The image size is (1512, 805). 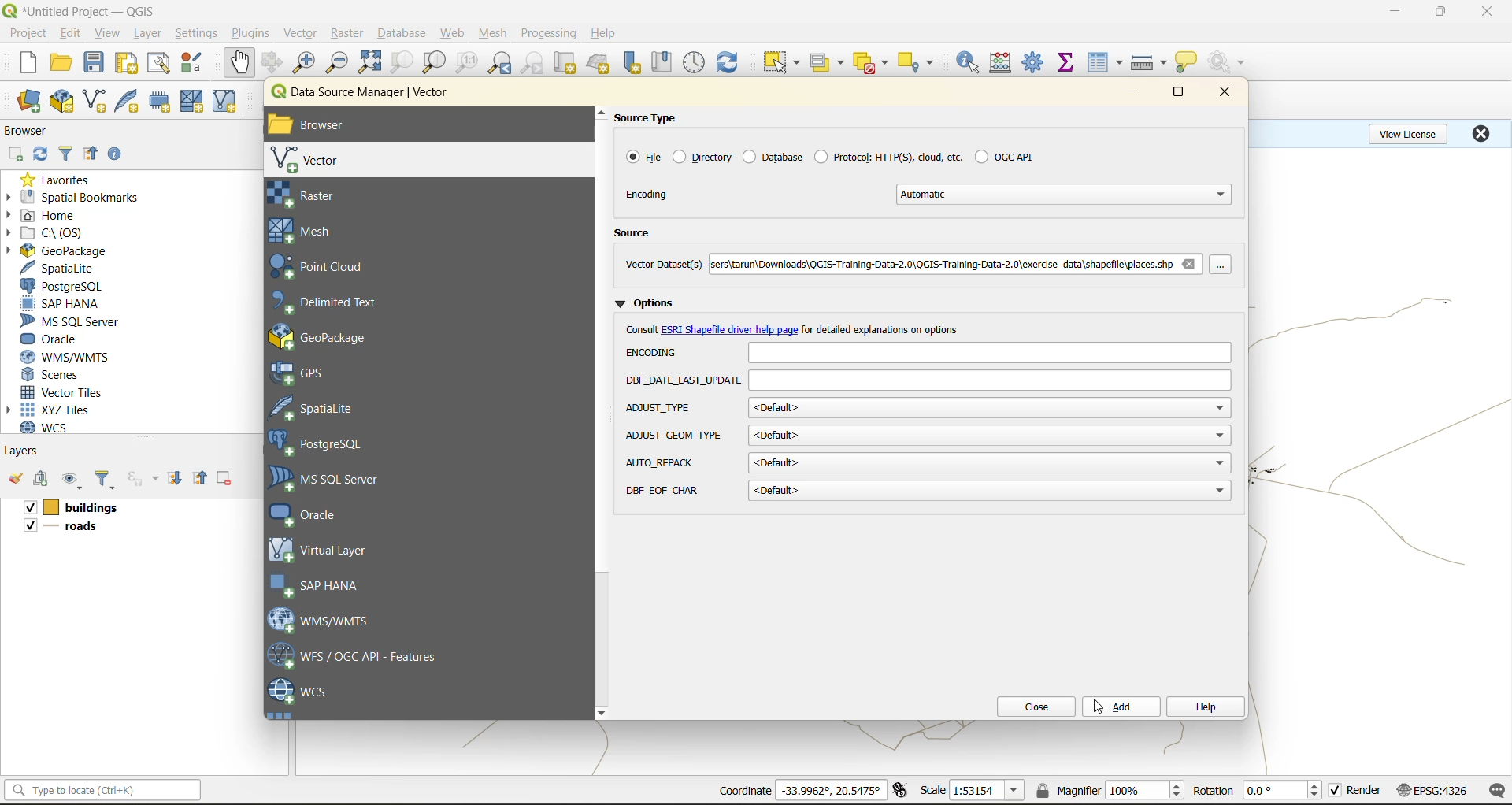 What do you see at coordinates (334, 479) in the screenshot?
I see `ms sql server` at bounding box center [334, 479].